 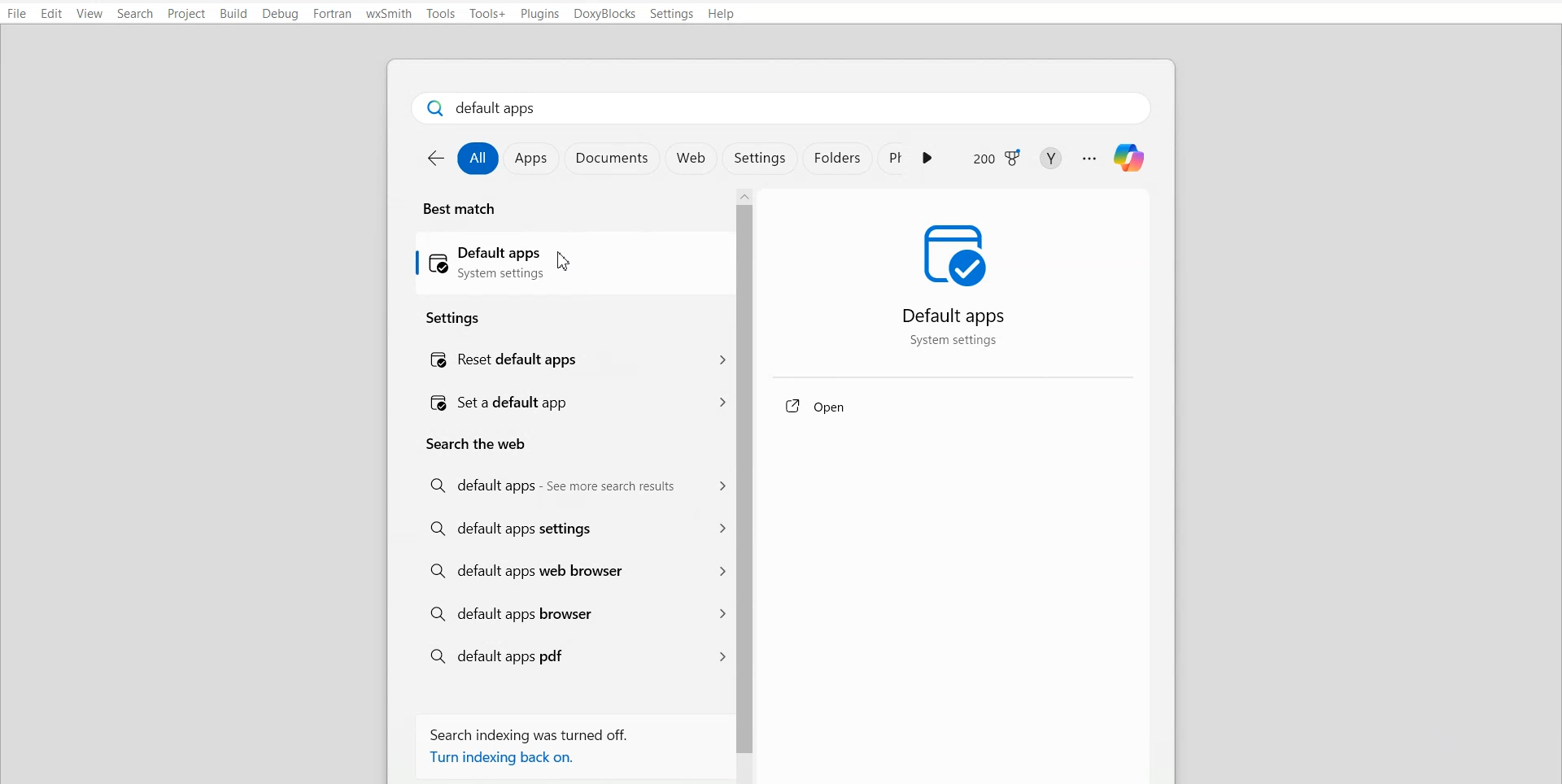 What do you see at coordinates (1132, 159) in the screenshot?
I see `Logo` at bounding box center [1132, 159].